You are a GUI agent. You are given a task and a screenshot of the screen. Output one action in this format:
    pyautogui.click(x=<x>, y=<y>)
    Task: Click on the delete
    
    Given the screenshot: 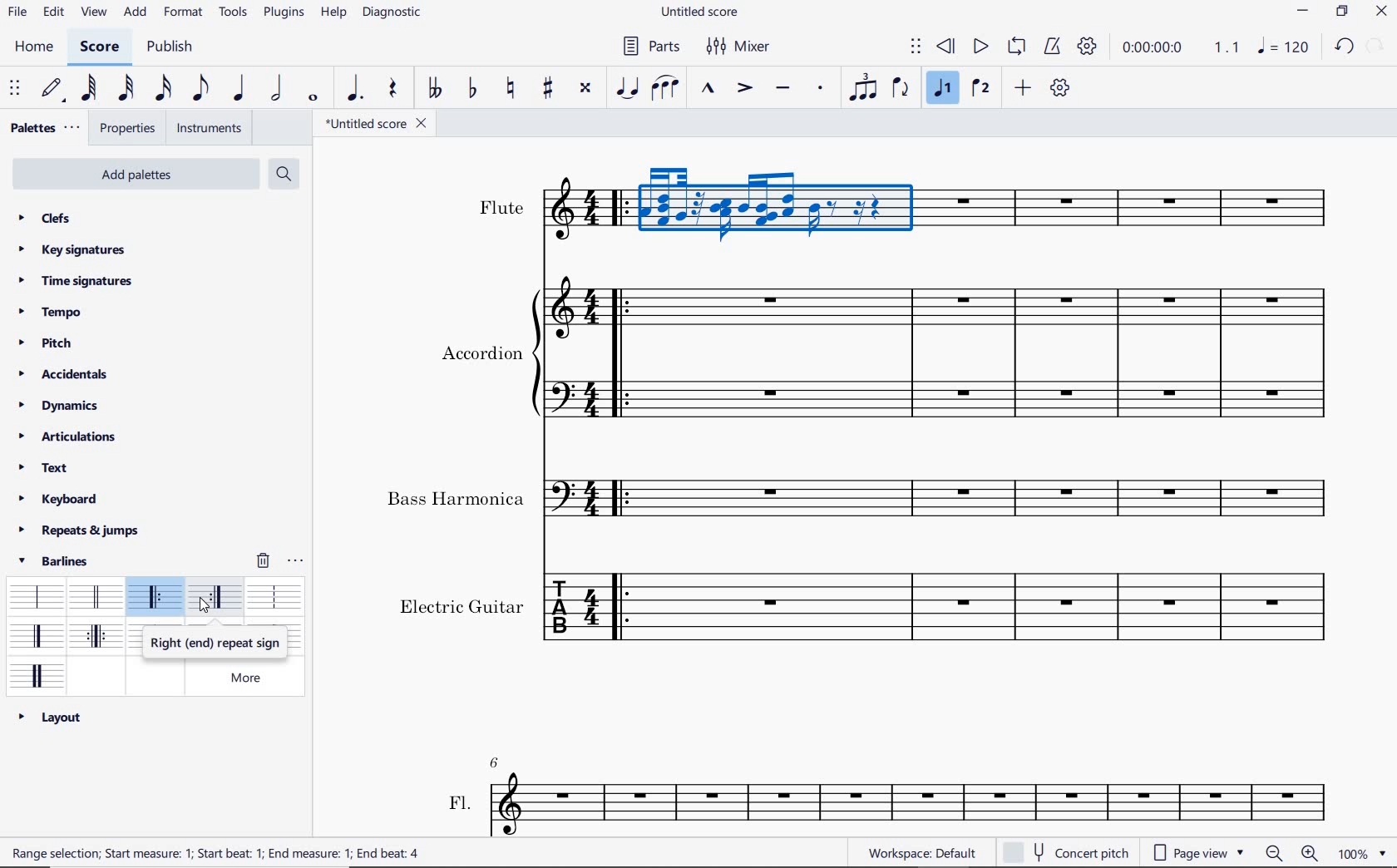 What is the action you would take?
    pyautogui.click(x=264, y=560)
    